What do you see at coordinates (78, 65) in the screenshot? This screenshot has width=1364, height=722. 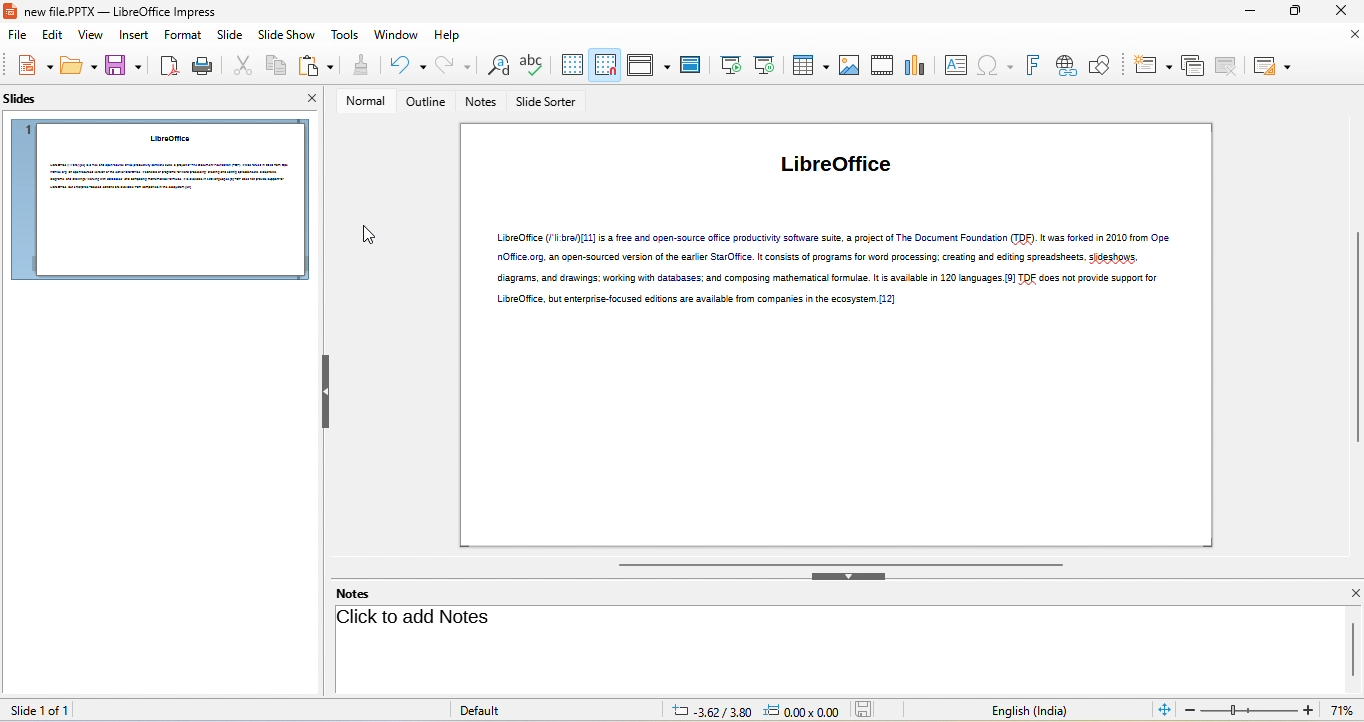 I see `open` at bounding box center [78, 65].